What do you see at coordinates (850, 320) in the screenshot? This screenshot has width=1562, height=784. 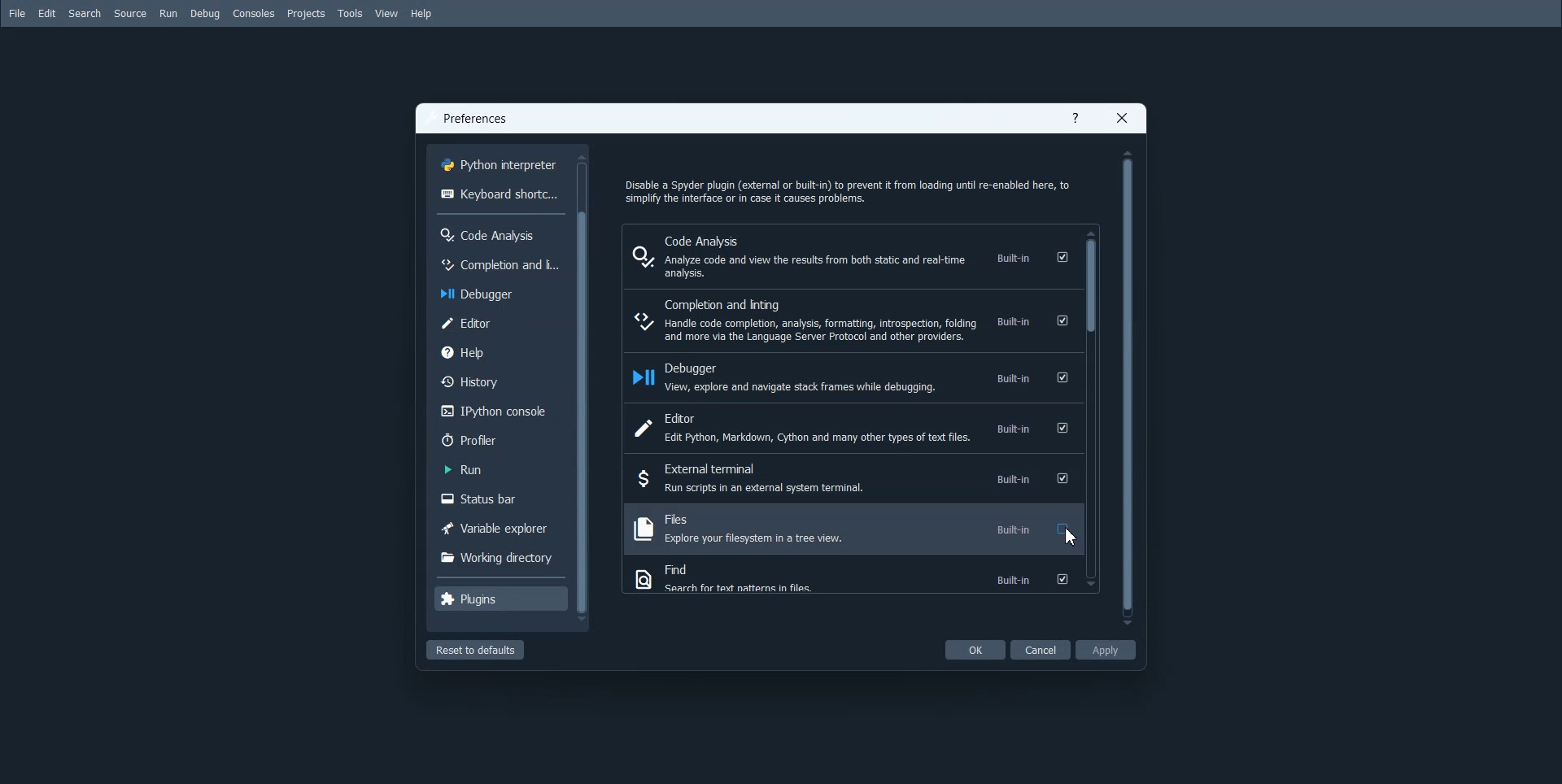 I see `Completion and linting` at bounding box center [850, 320].